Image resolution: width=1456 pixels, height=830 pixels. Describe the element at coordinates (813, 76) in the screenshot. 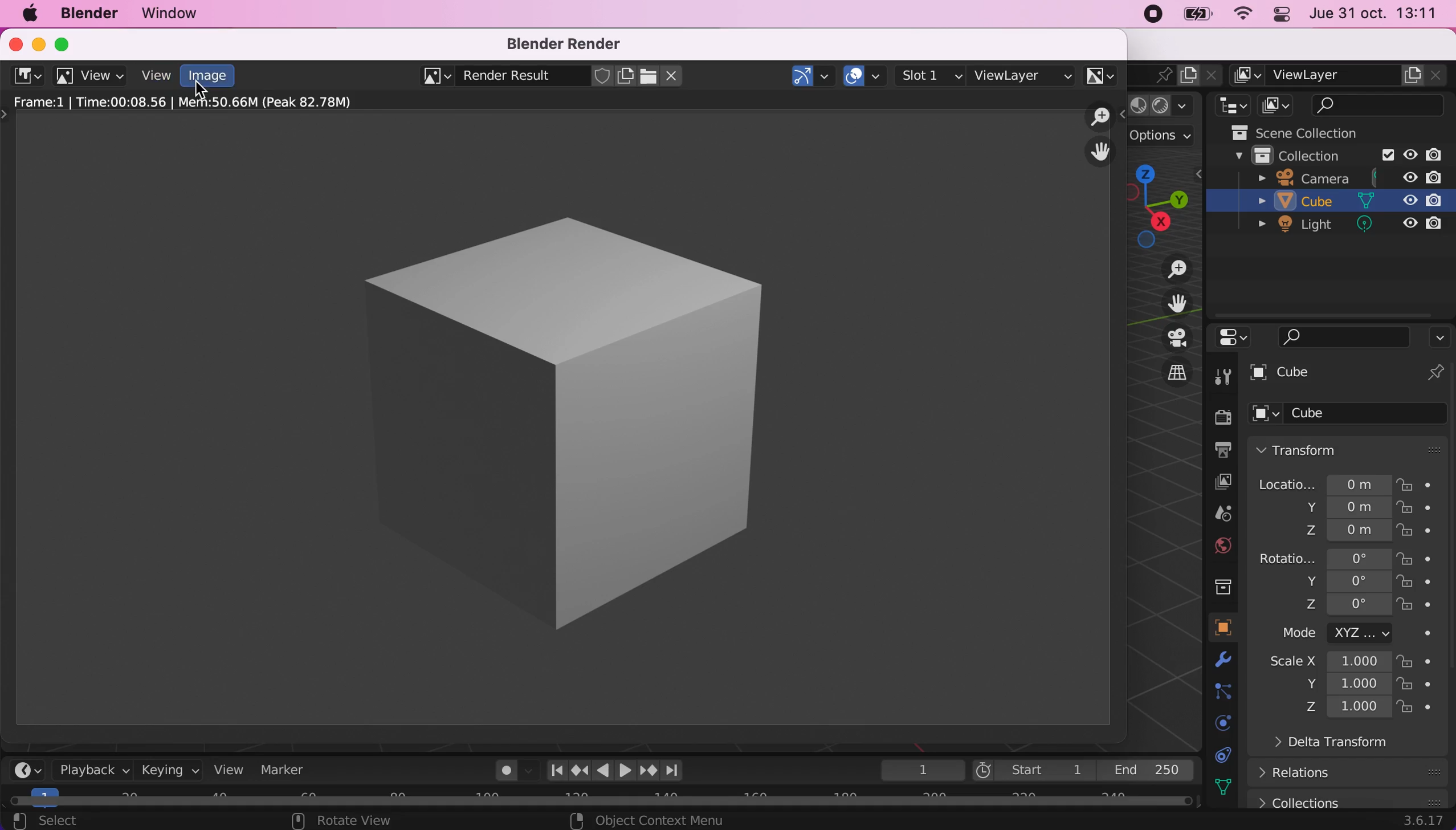

I see `gizmos` at that location.